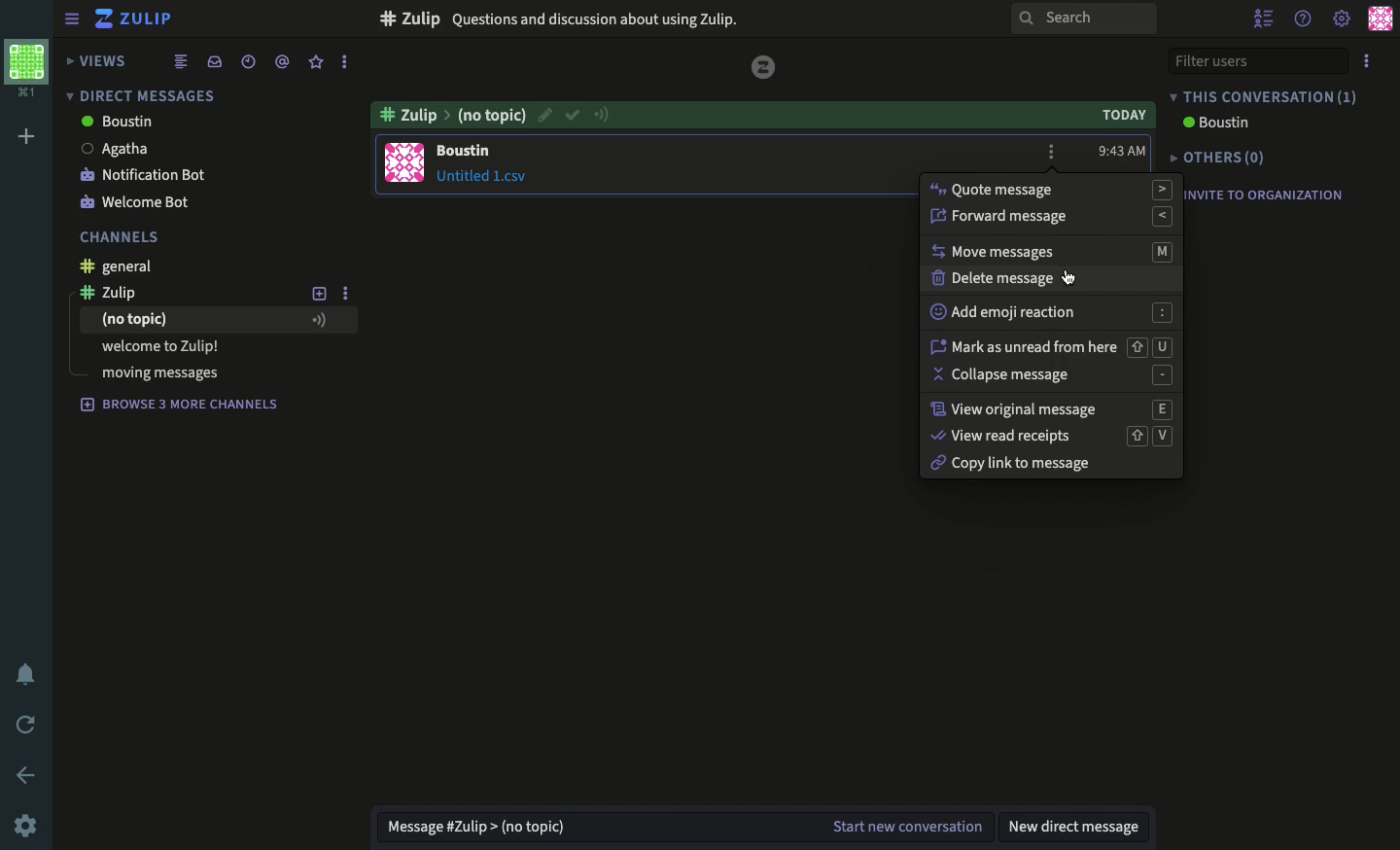 This screenshot has height=850, width=1400. I want to click on copy link to message, so click(1015, 465).